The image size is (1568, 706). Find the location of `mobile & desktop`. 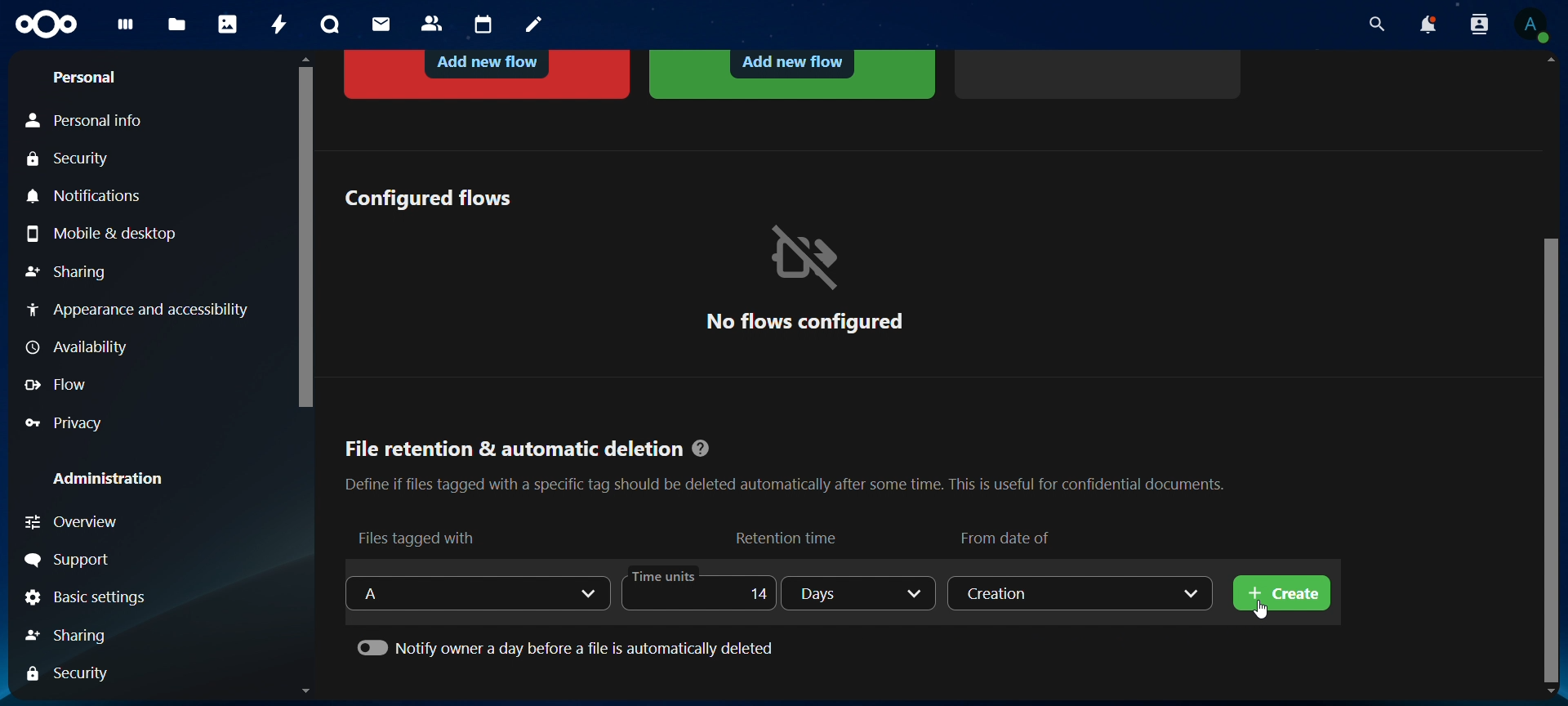

mobile & desktop is located at coordinates (106, 233).